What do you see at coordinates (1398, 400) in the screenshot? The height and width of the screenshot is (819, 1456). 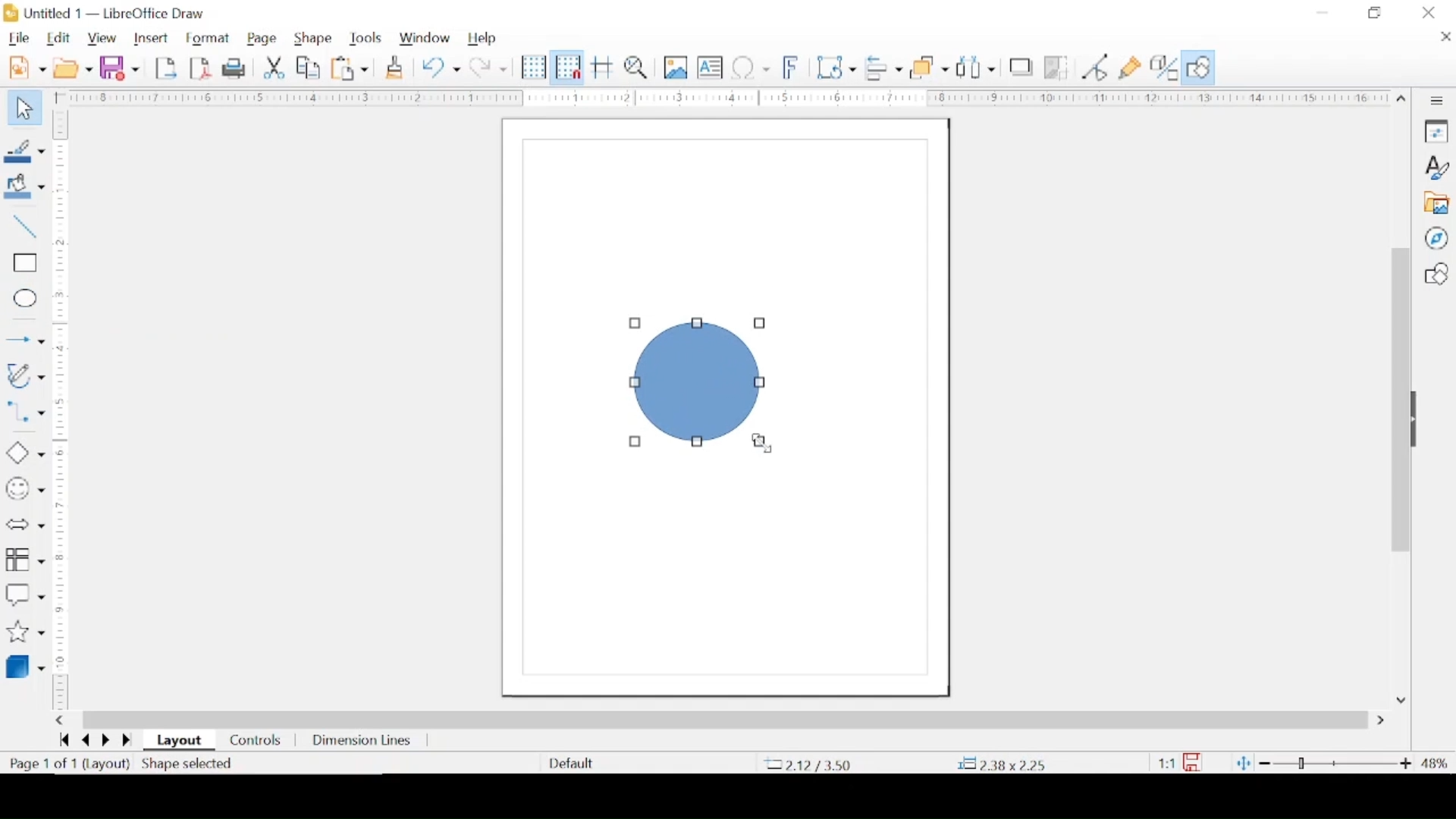 I see `scroll box` at bounding box center [1398, 400].